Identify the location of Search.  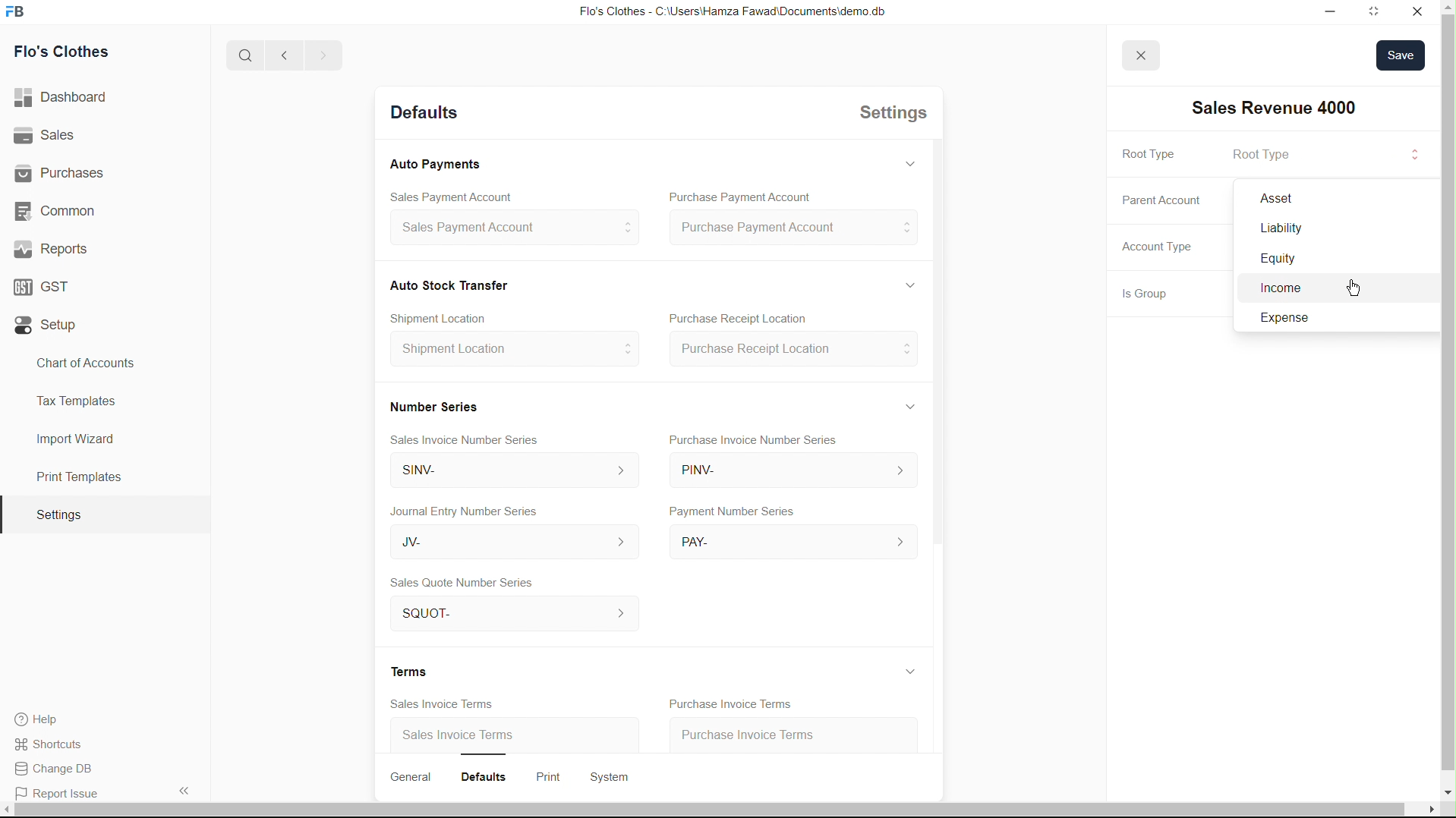
(240, 55).